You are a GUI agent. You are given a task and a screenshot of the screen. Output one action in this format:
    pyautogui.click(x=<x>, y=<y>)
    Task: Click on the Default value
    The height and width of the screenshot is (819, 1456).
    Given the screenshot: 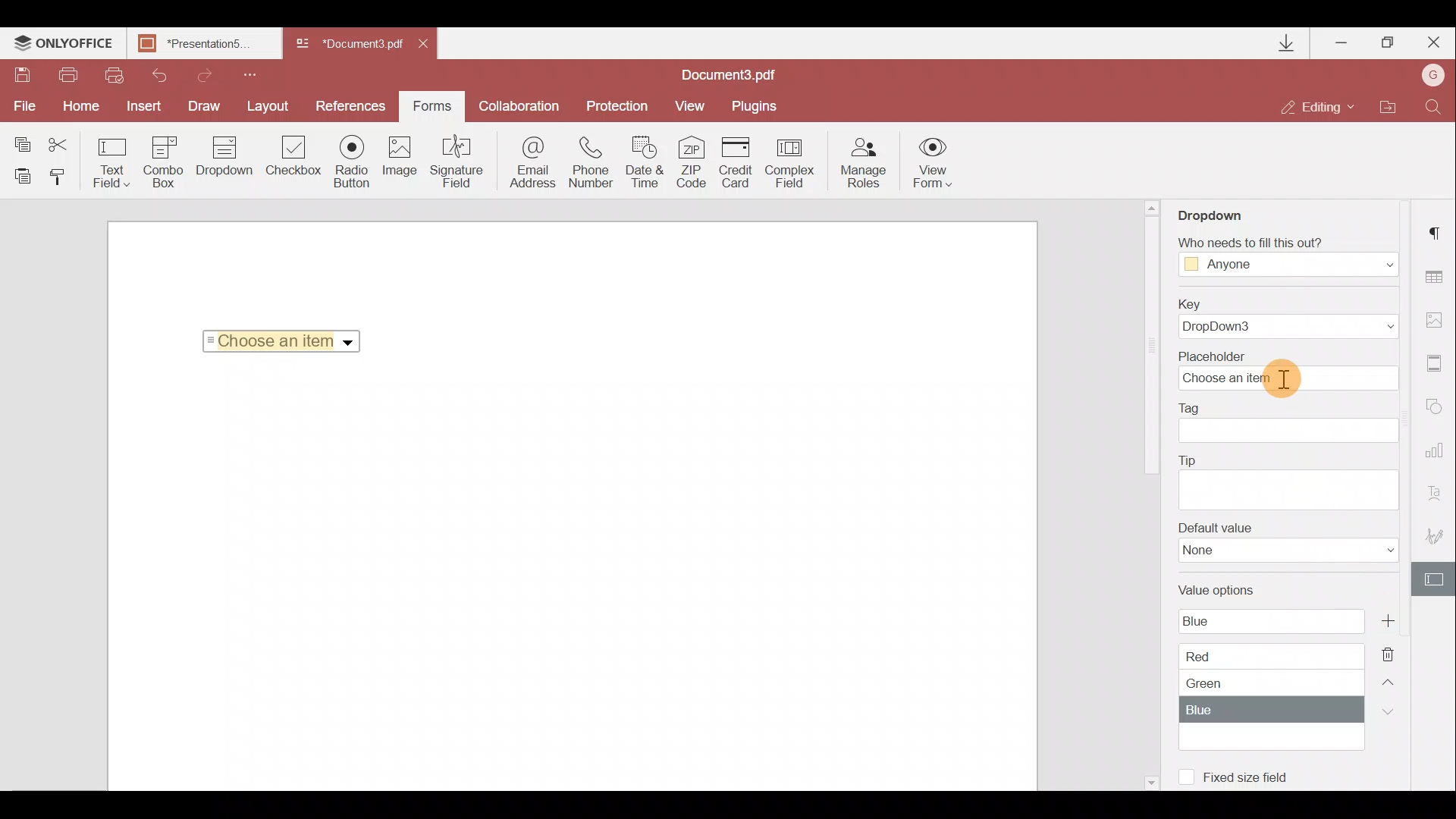 What is the action you would take?
    pyautogui.click(x=1282, y=547)
    